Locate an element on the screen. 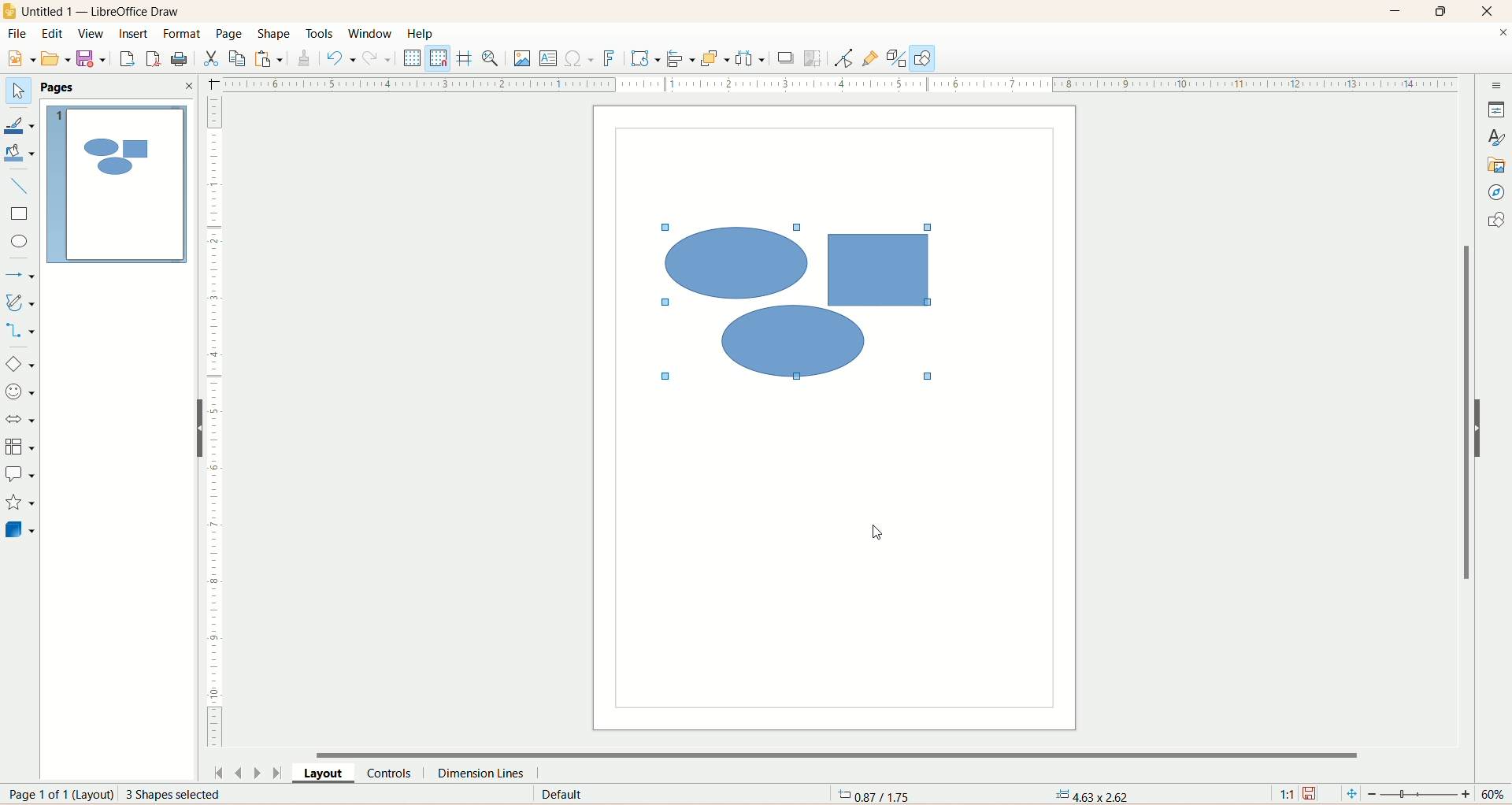 Image resolution: width=1512 pixels, height=805 pixels. callout shapes is located at coordinates (20, 476).